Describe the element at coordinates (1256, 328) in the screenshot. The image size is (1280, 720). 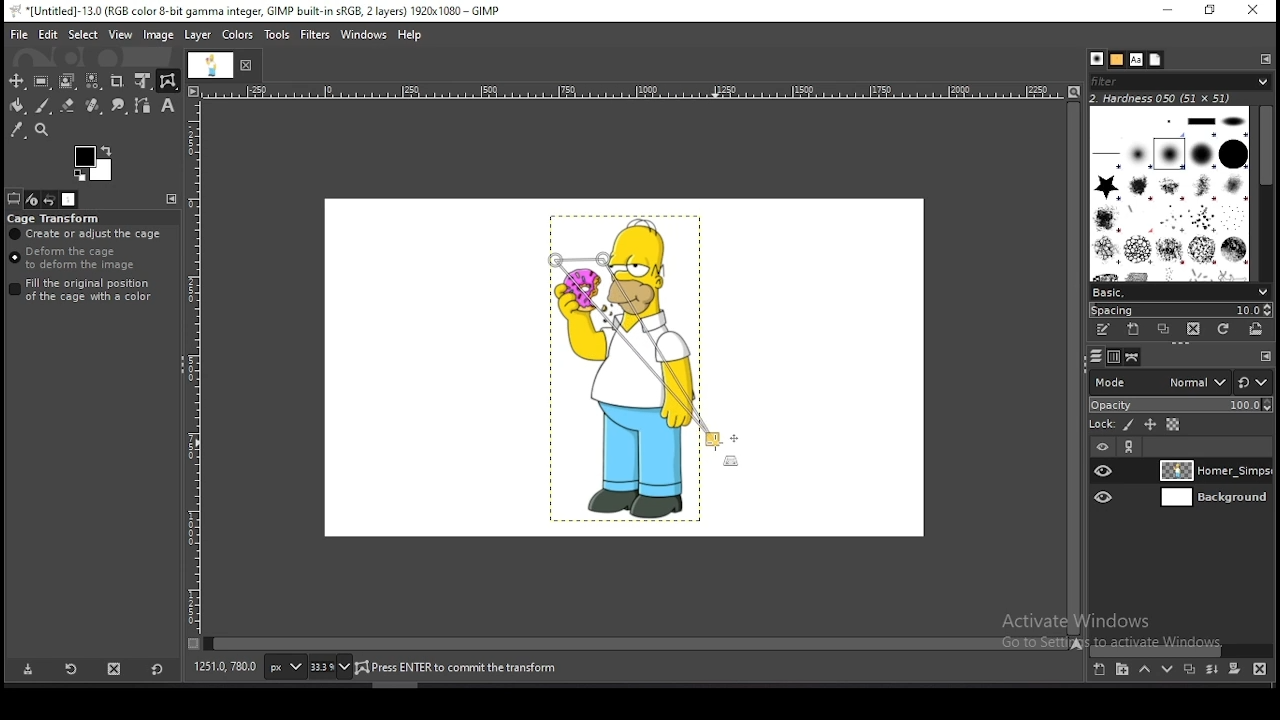
I see `open brush as image` at that location.